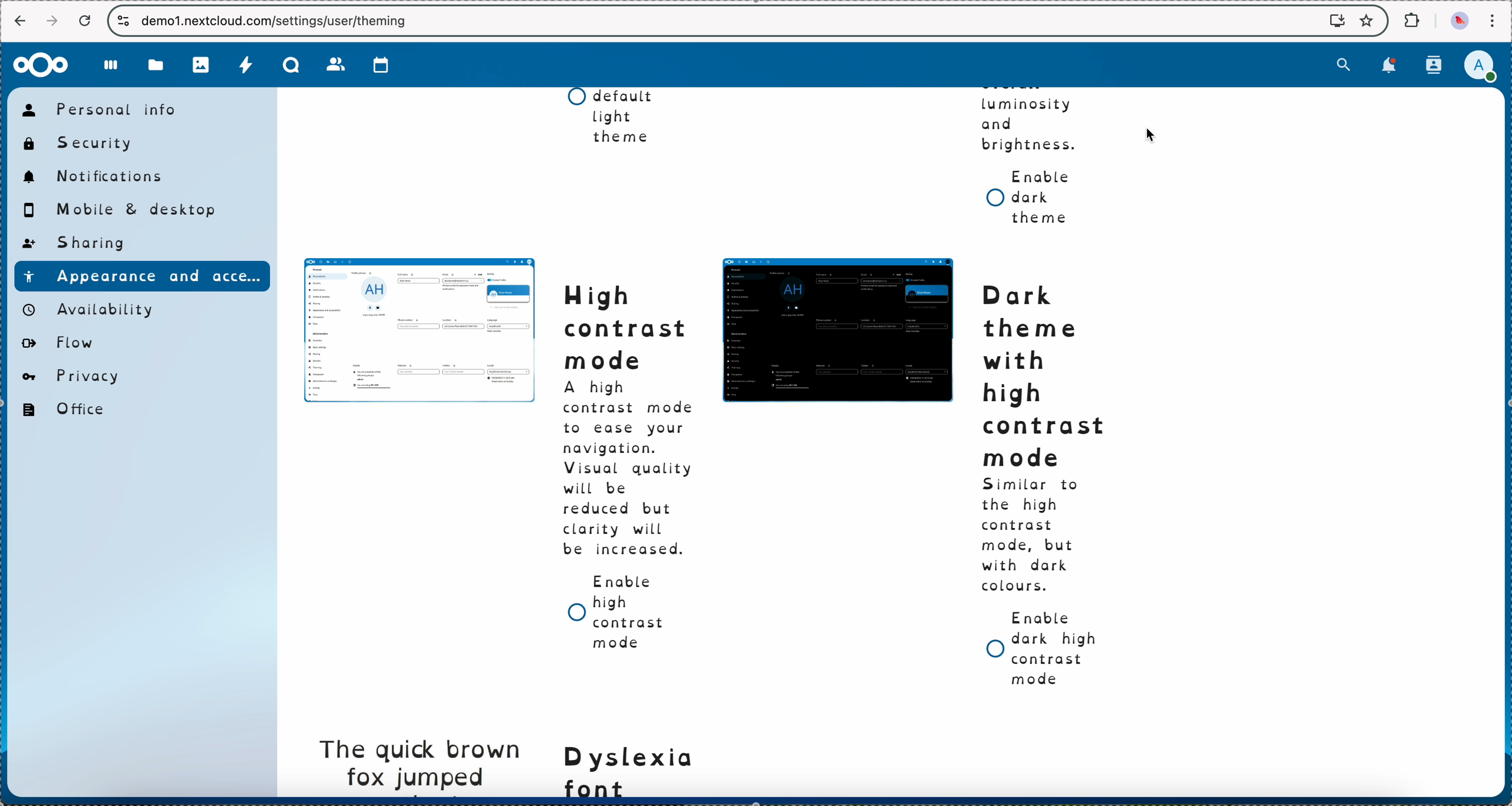  What do you see at coordinates (1341, 66) in the screenshot?
I see `search` at bounding box center [1341, 66].